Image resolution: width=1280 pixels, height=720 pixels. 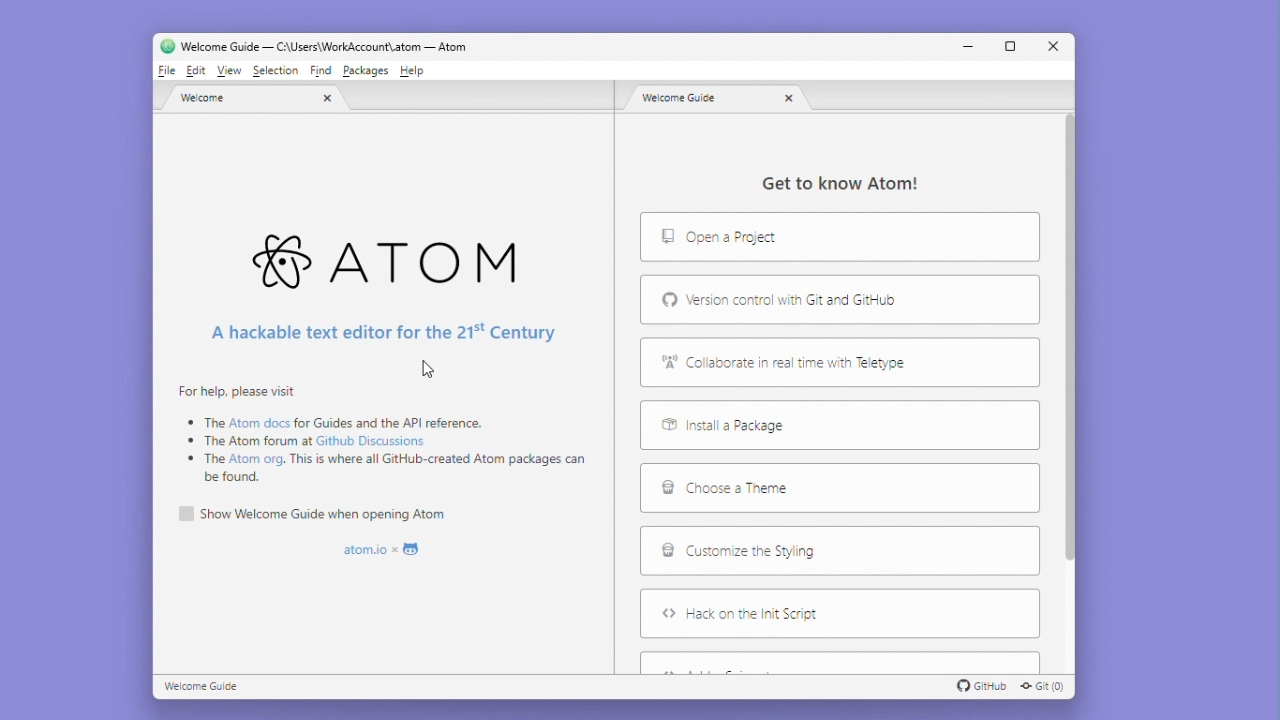 What do you see at coordinates (272, 72) in the screenshot?
I see `Selection` at bounding box center [272, 72].